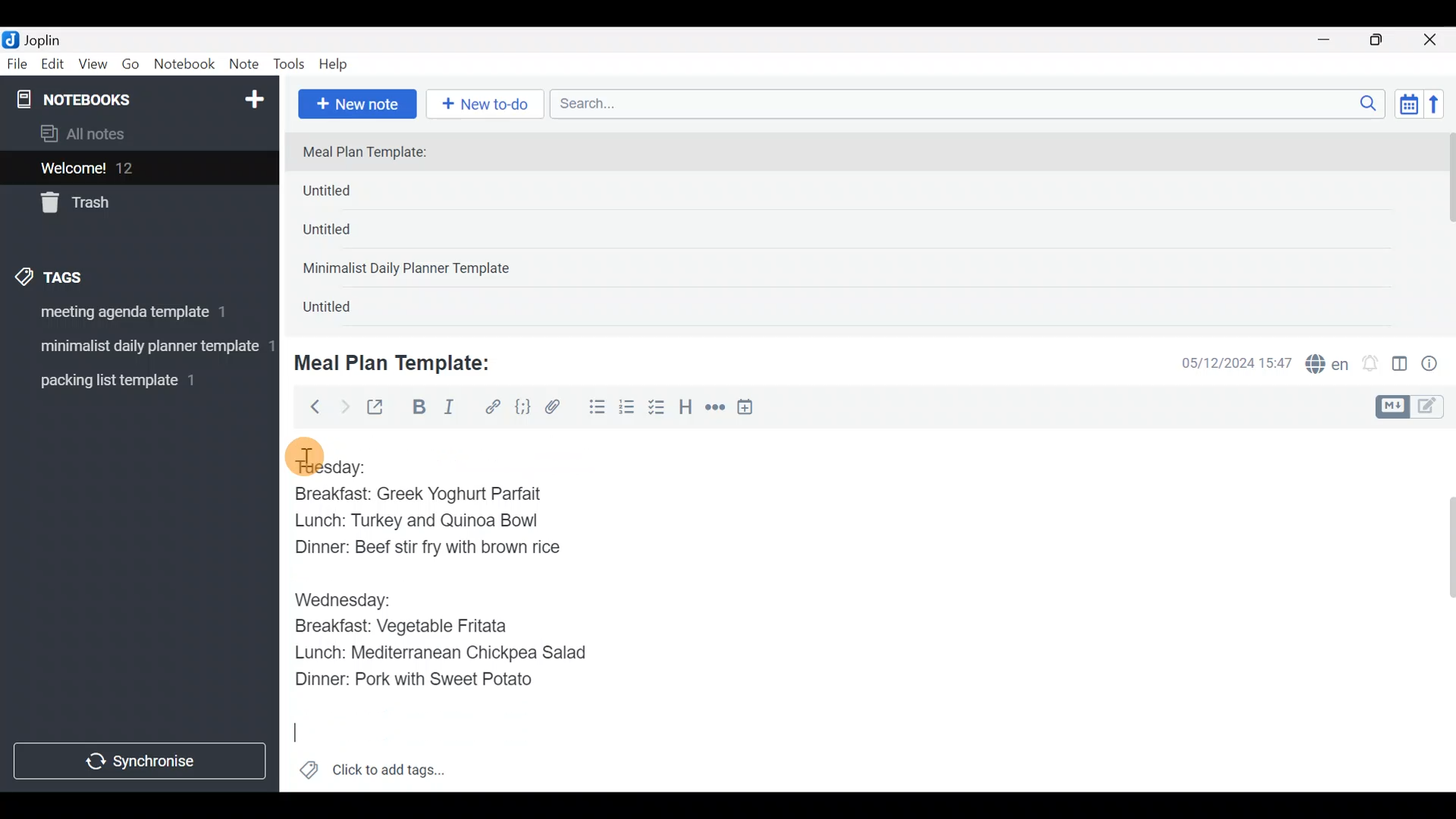 This screenshot has height=819, width=1456. What do you see at coordinates (425, 552) in the screenshot?
I see `Dinner: Beef stir fry with brown rice` at bounding box center [425, 552].